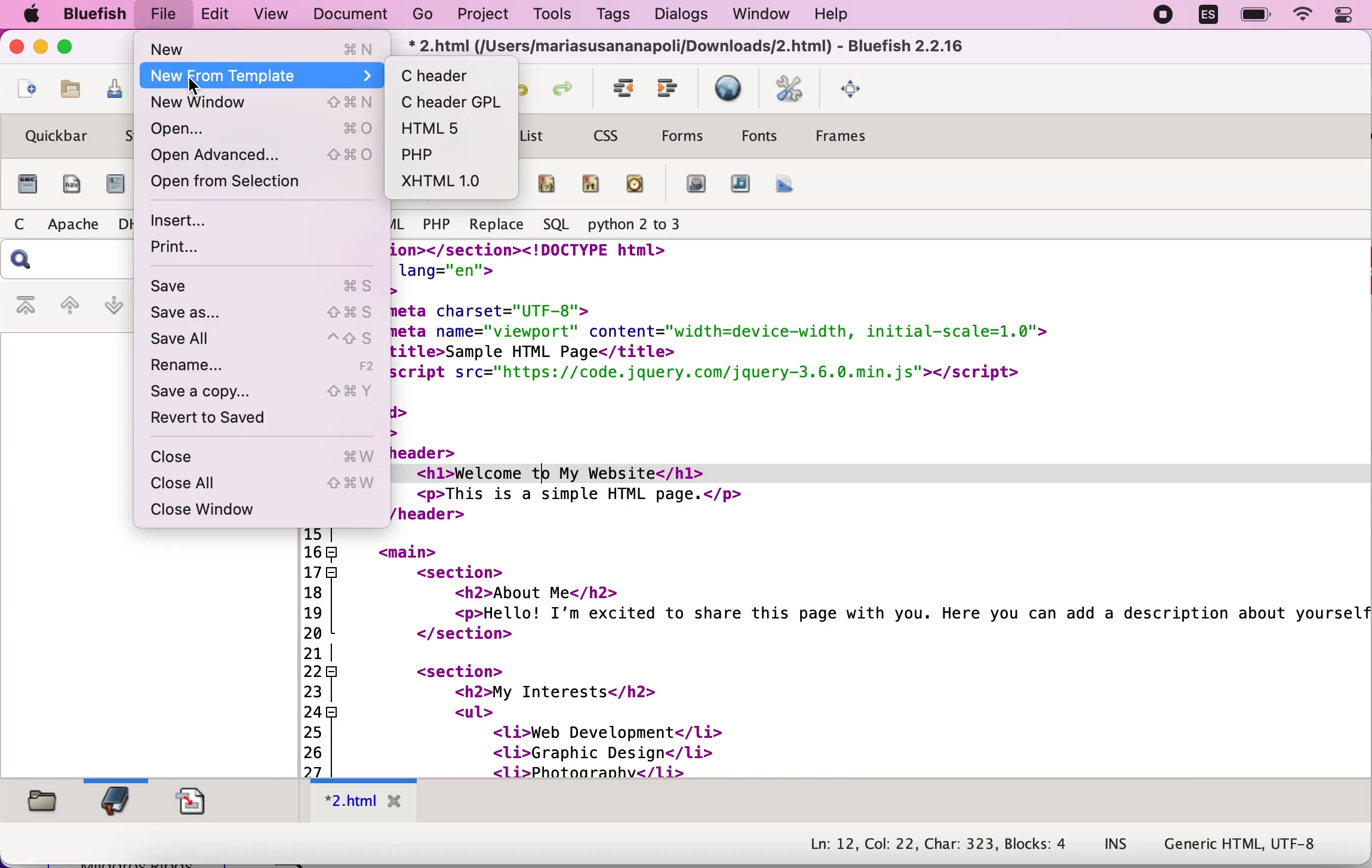 The width and height of the screenshot is (1372, 868). Describe the element at coordinates (831, 16) in the screenshot. I see `help` at that location.